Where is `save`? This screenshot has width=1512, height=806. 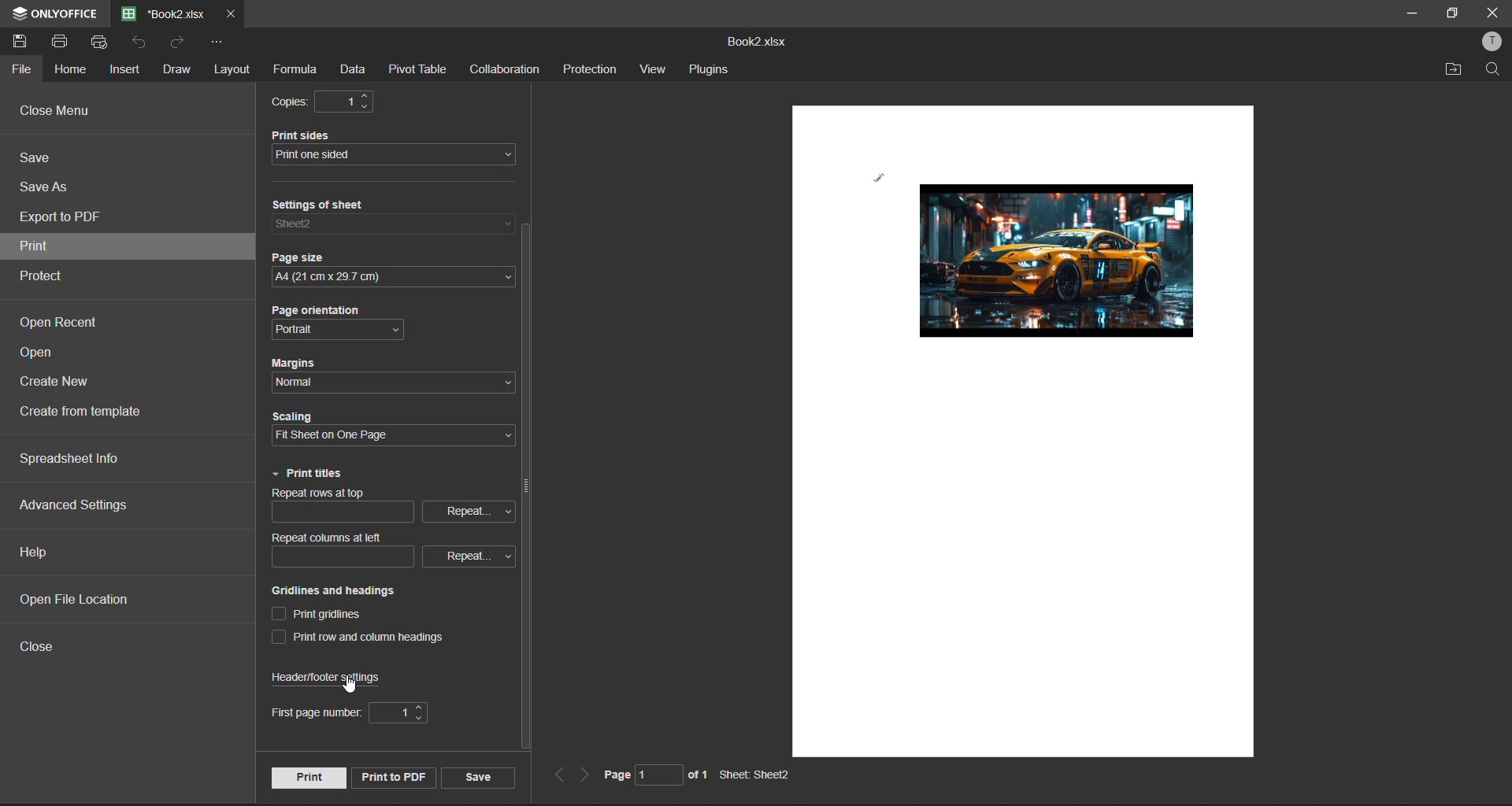
save is located at coordinates (24, 40).